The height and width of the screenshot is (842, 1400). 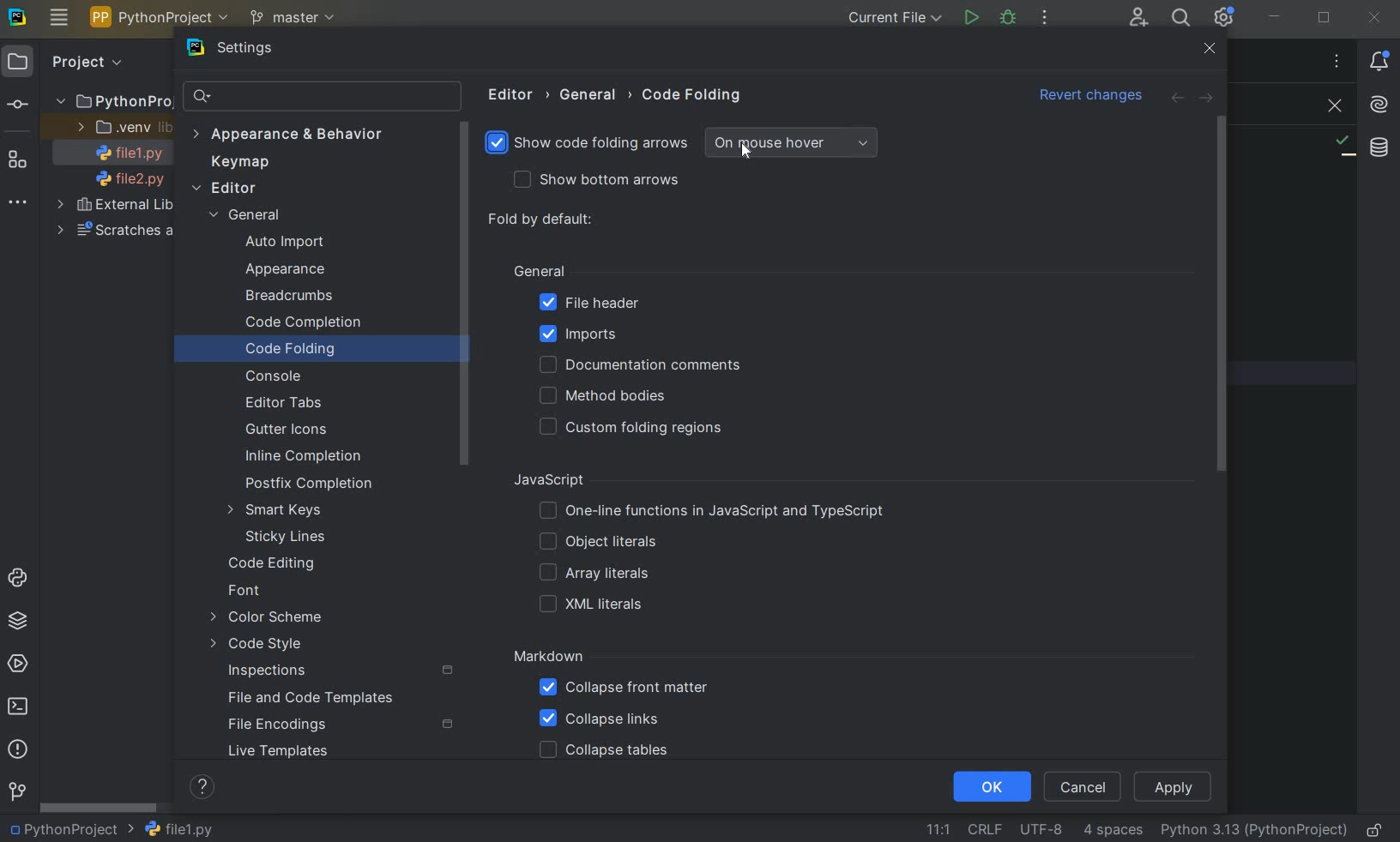 I want to click on IDE AND PROJECT SETTINGS, so click(x=1226, y=19).